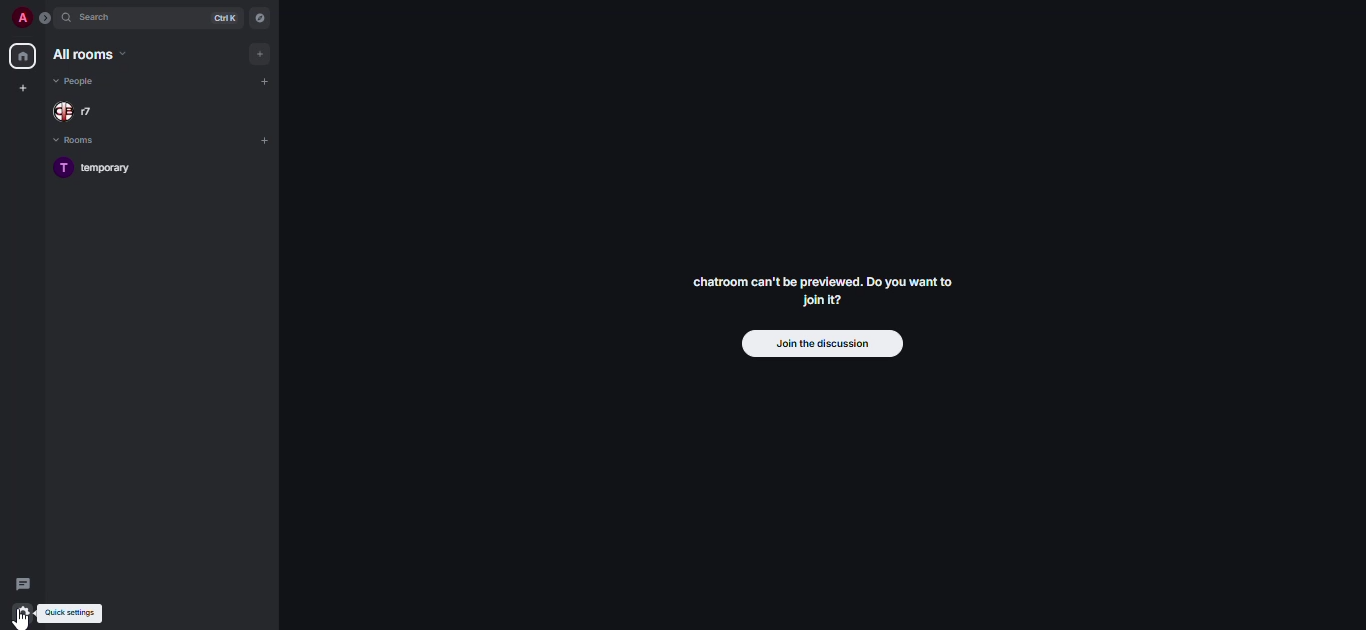  What do you see at coordinates (261, 18) in the screenshot?
I see `navigator` at bounding box center [261, 18].